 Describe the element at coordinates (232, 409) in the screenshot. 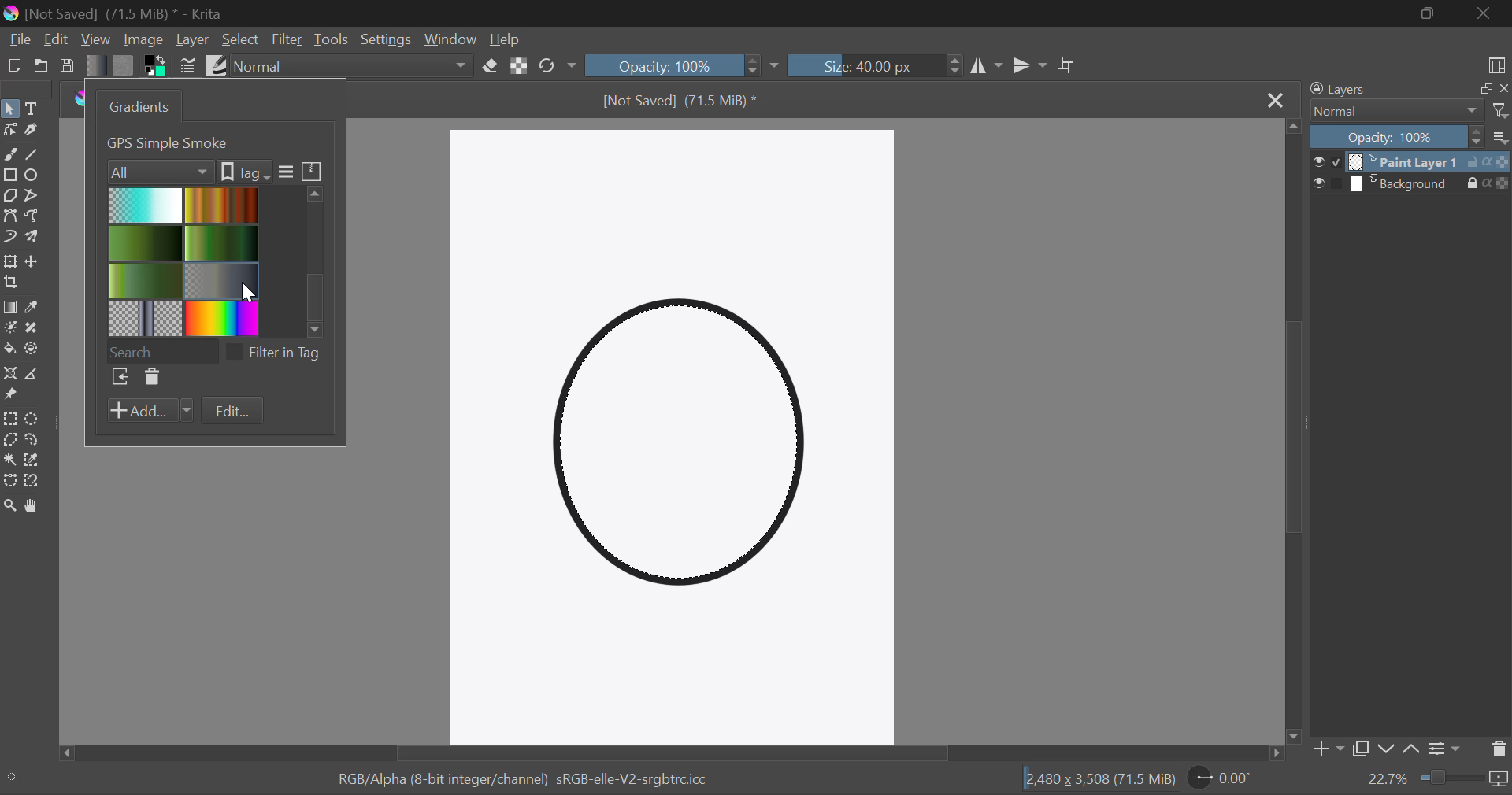

I see `Edit` at that location.